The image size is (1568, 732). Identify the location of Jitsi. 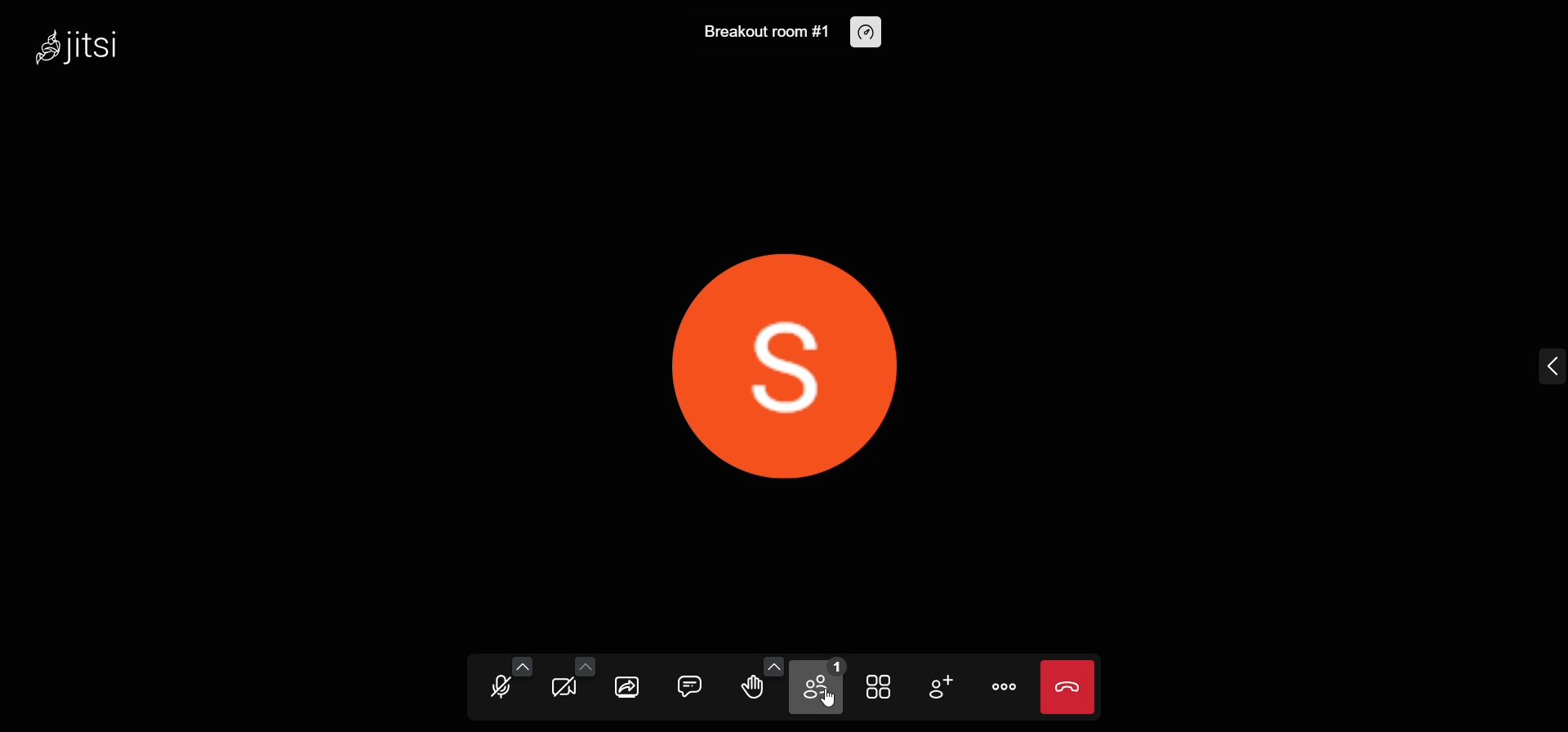
(82, 42).